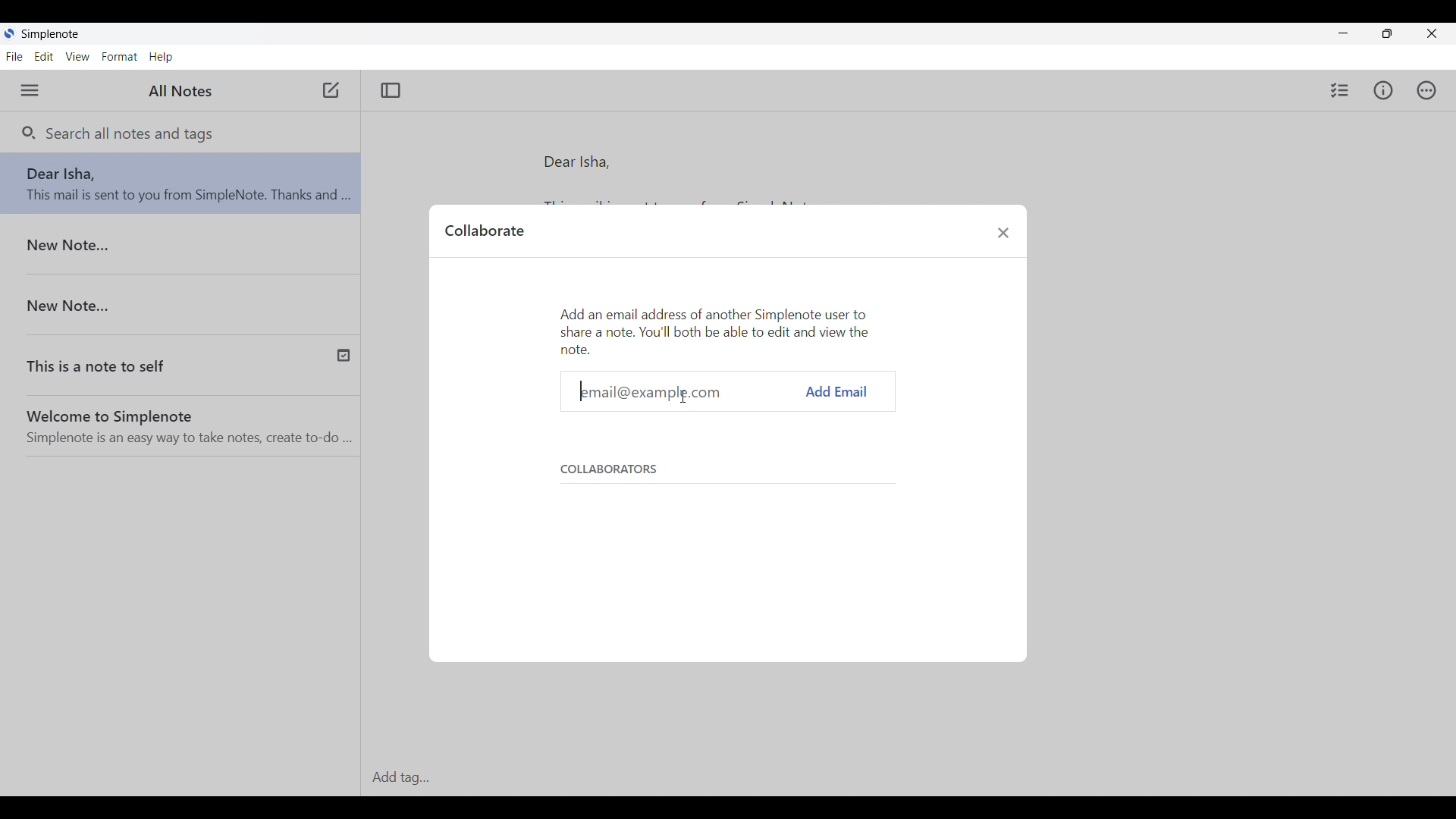  What do you see at coordinates (186, 422) in the screenshot?
I see `Welcome to simplenote` at bounding box center [186, 422].